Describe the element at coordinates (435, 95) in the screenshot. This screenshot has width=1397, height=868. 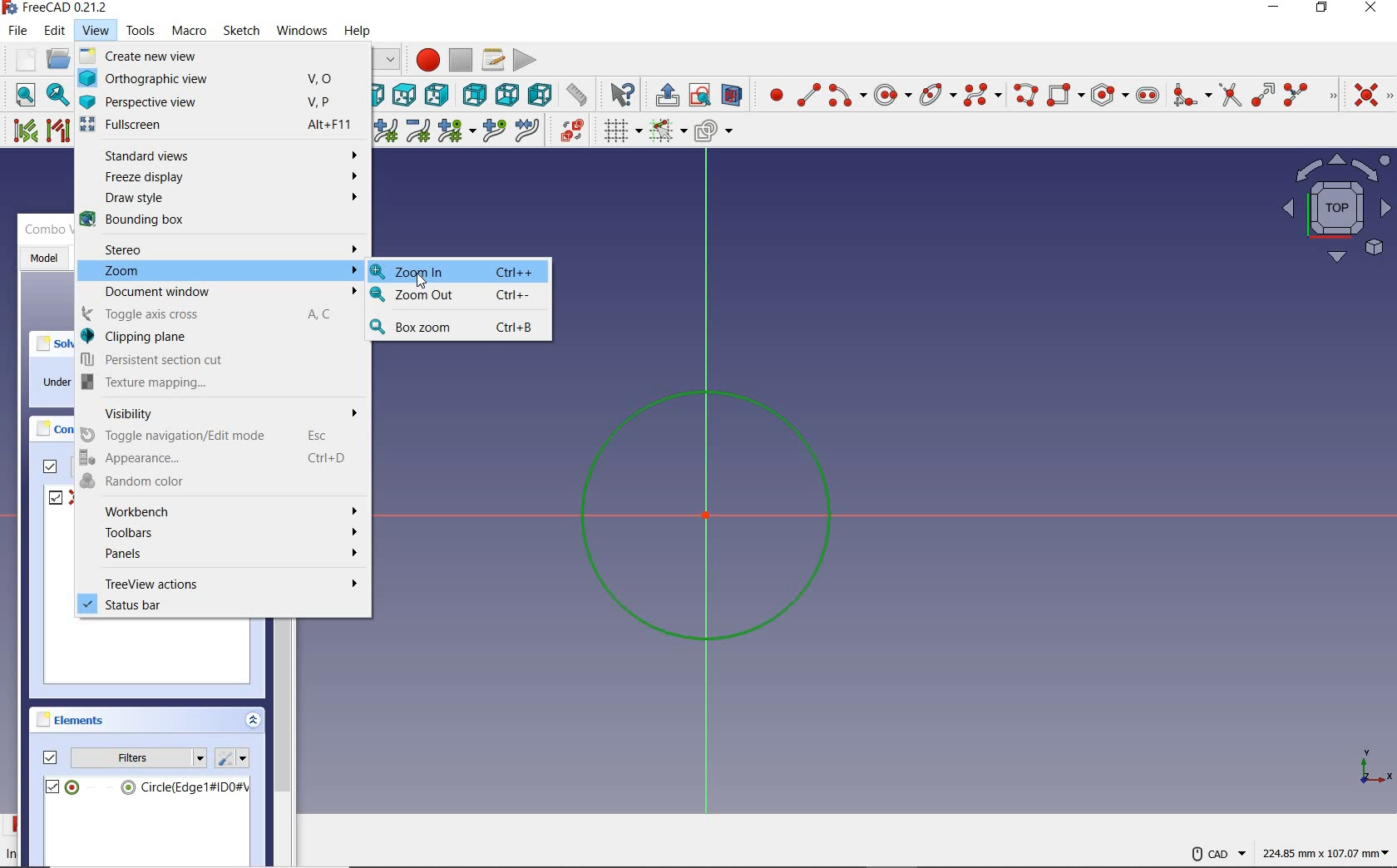
I see `right` at that location.